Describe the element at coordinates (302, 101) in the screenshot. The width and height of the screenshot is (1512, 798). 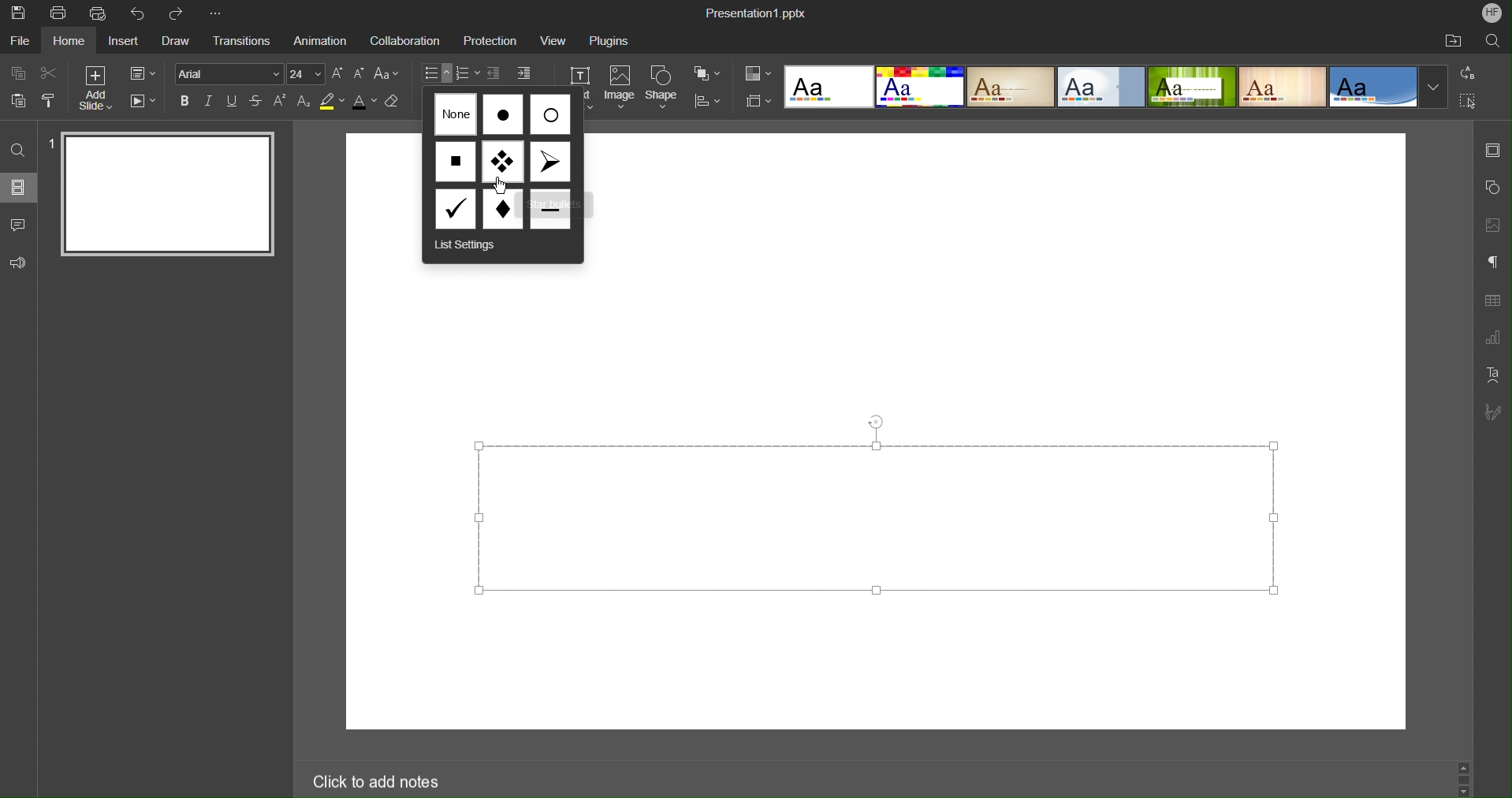
I see `Subscript` at that location.